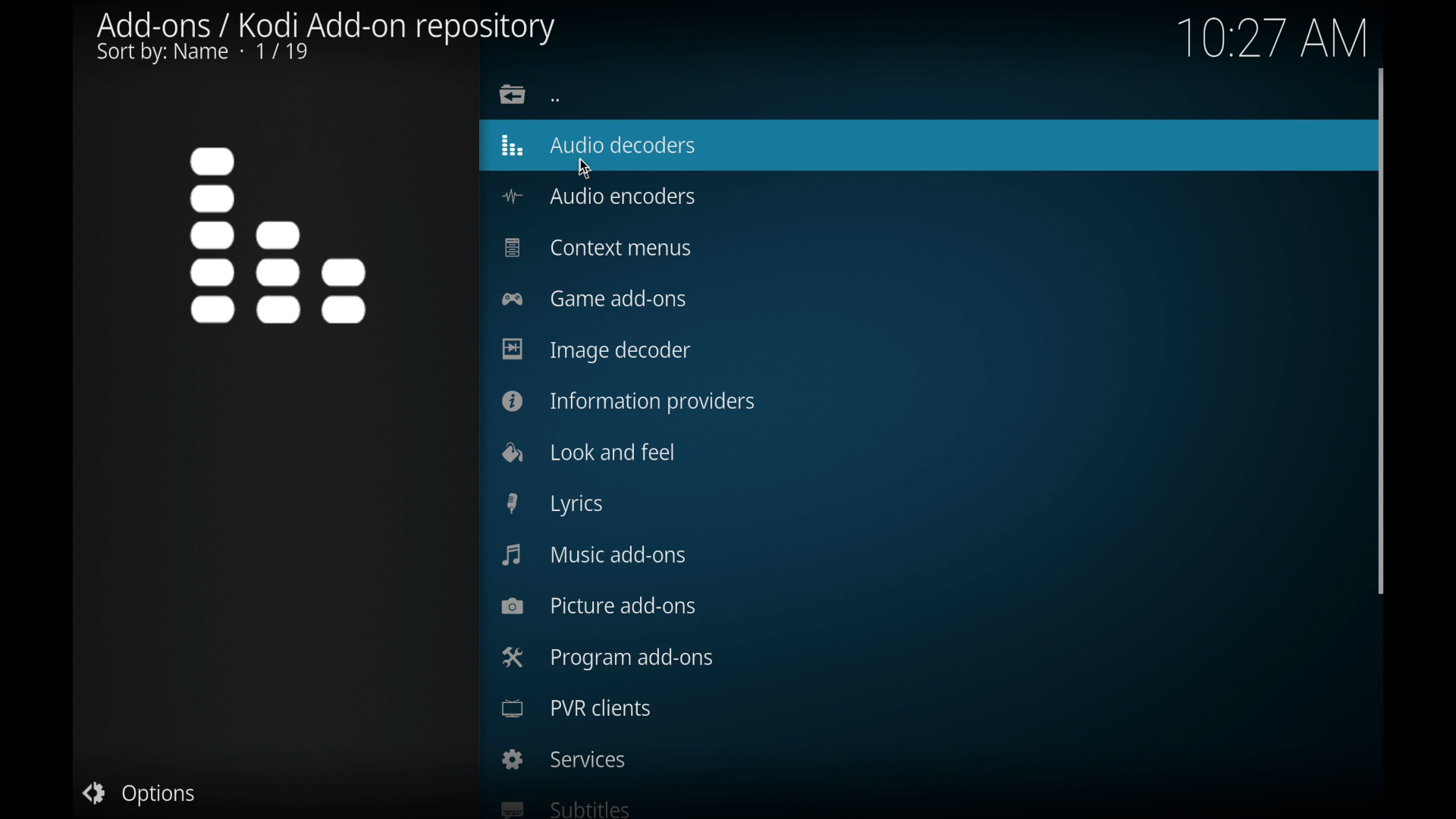 The width and height of the screenshot is (1456, 819). I want to click on pvr clients, so click(576, 708).